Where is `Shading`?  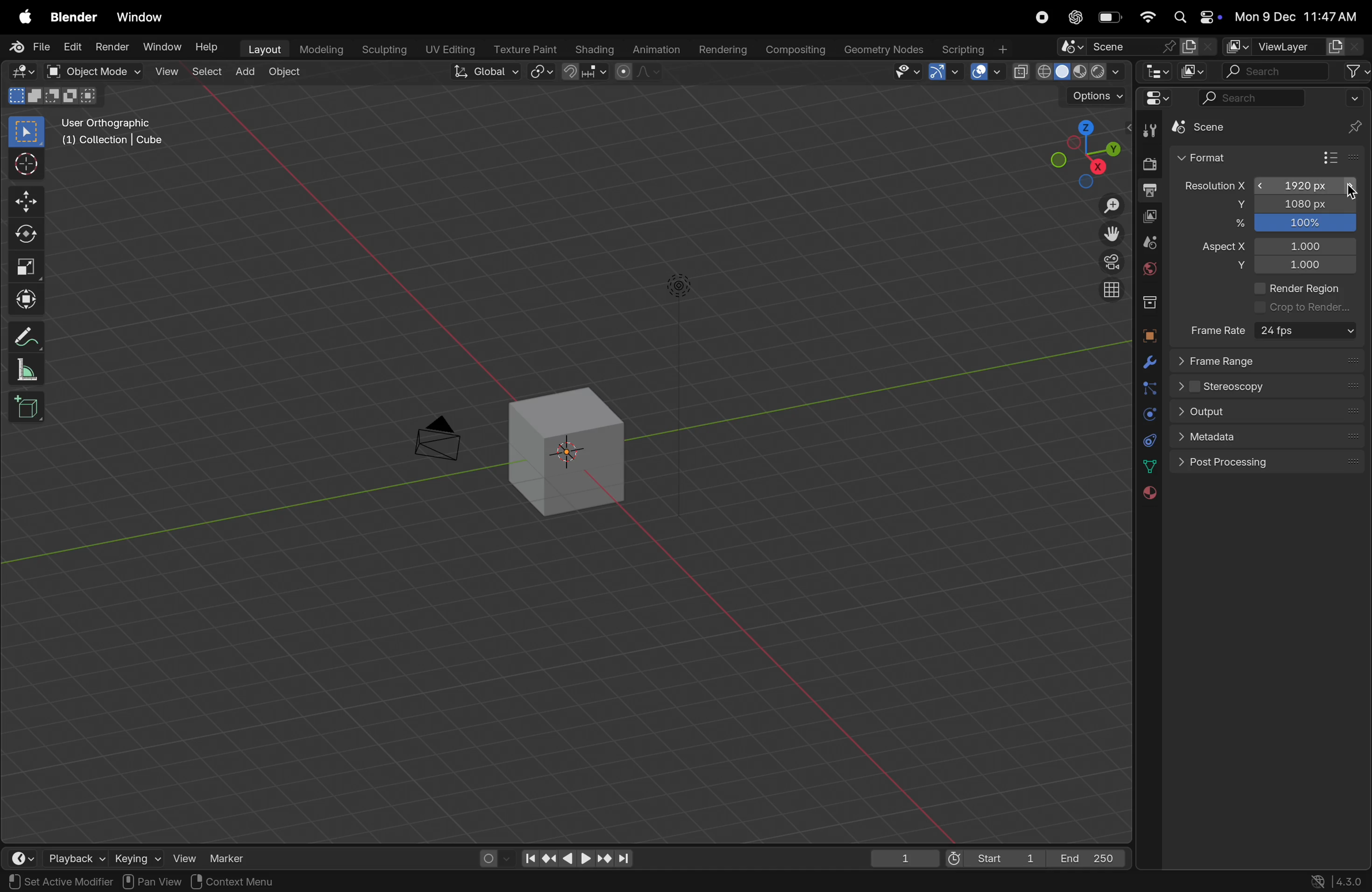
Shading is located at coordinates (596, 48).